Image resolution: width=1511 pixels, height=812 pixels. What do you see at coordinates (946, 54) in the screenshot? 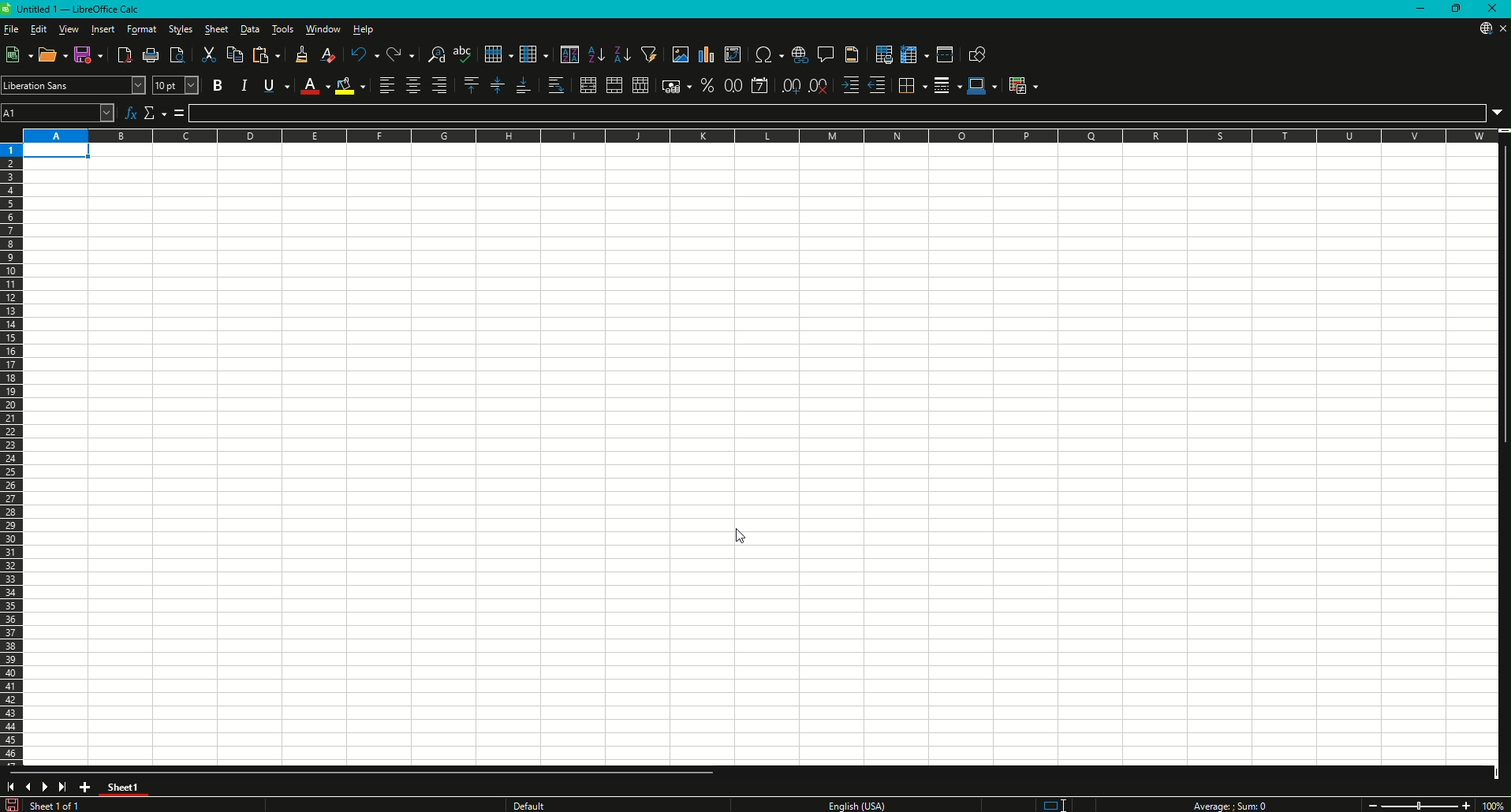
I see `Split Window` at bounding box center [946, 54].